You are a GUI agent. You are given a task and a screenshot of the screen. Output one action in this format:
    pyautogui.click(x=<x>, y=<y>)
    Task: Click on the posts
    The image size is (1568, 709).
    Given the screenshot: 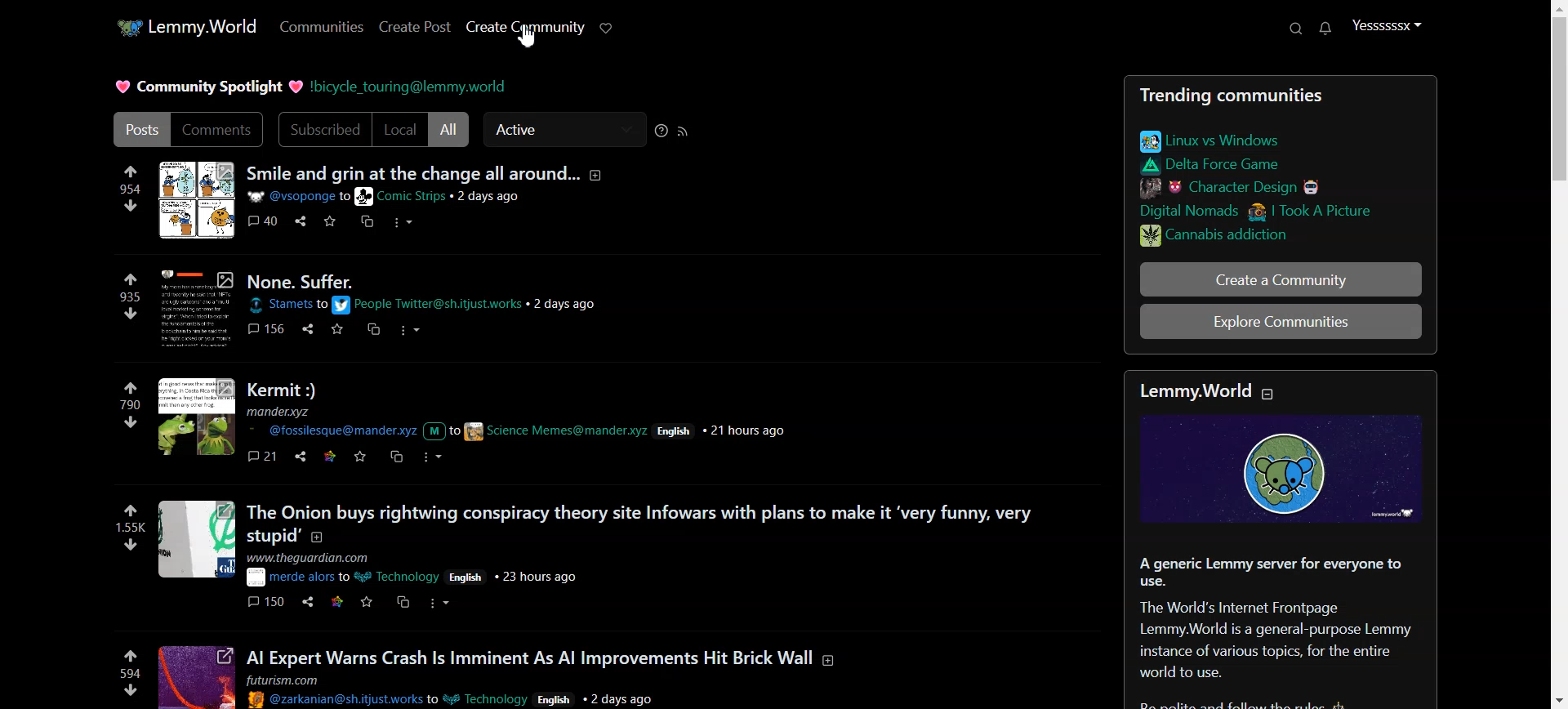 What is the action you would take?
    pyautogui.click(x=439, y=173)
    